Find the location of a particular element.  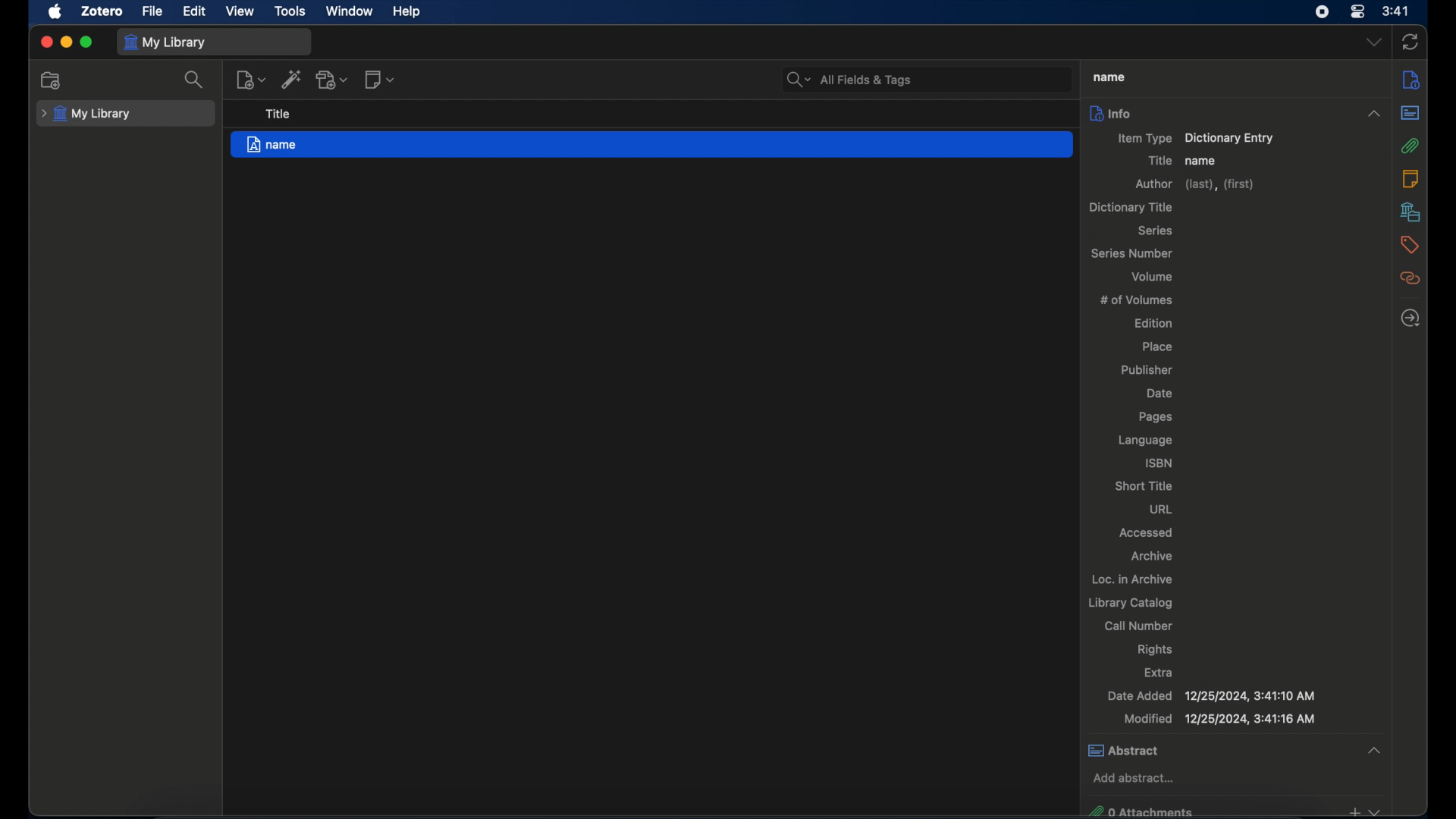

new notes is located at coordinates (381, 79).